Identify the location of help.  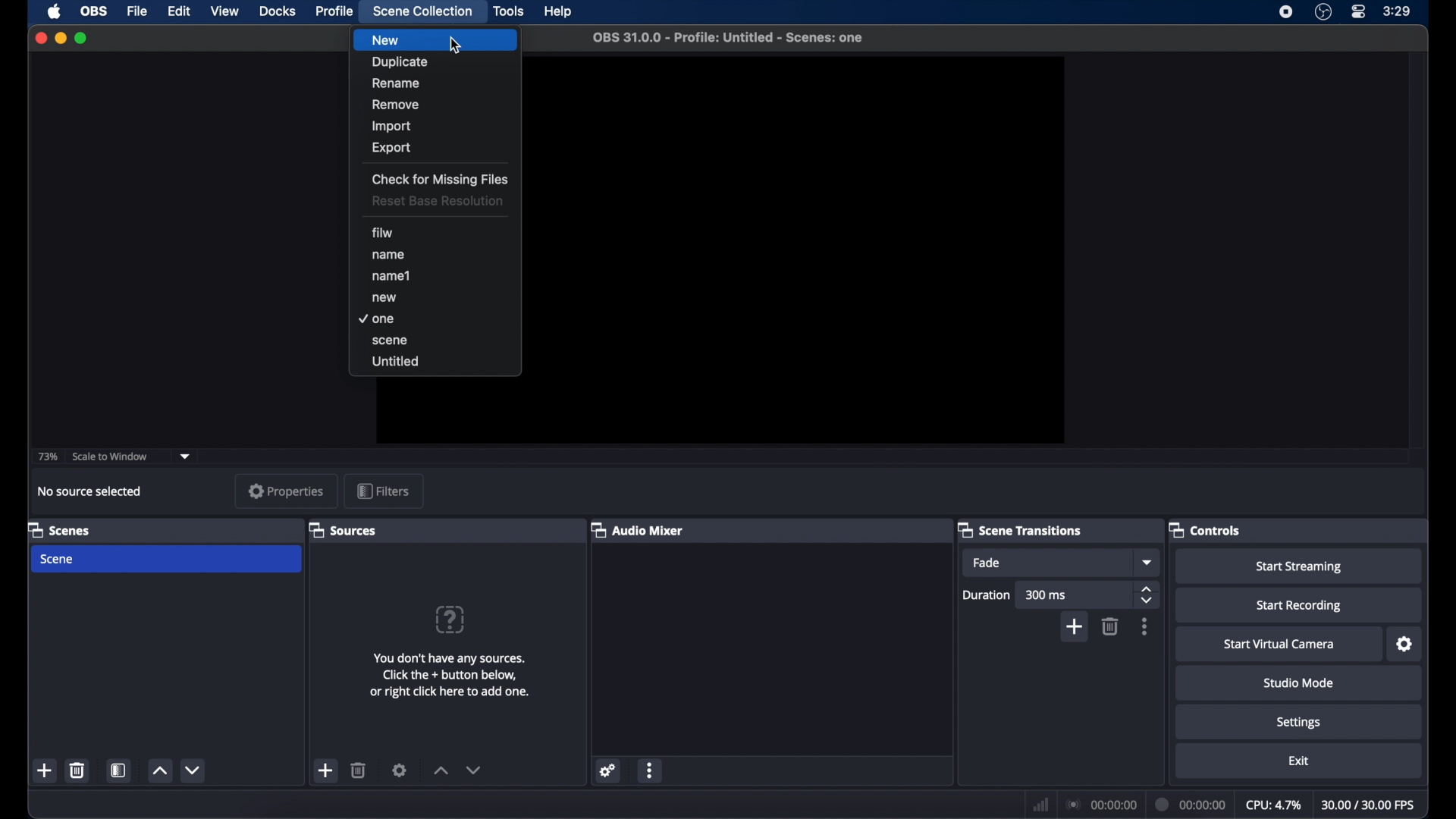
(560, 12).